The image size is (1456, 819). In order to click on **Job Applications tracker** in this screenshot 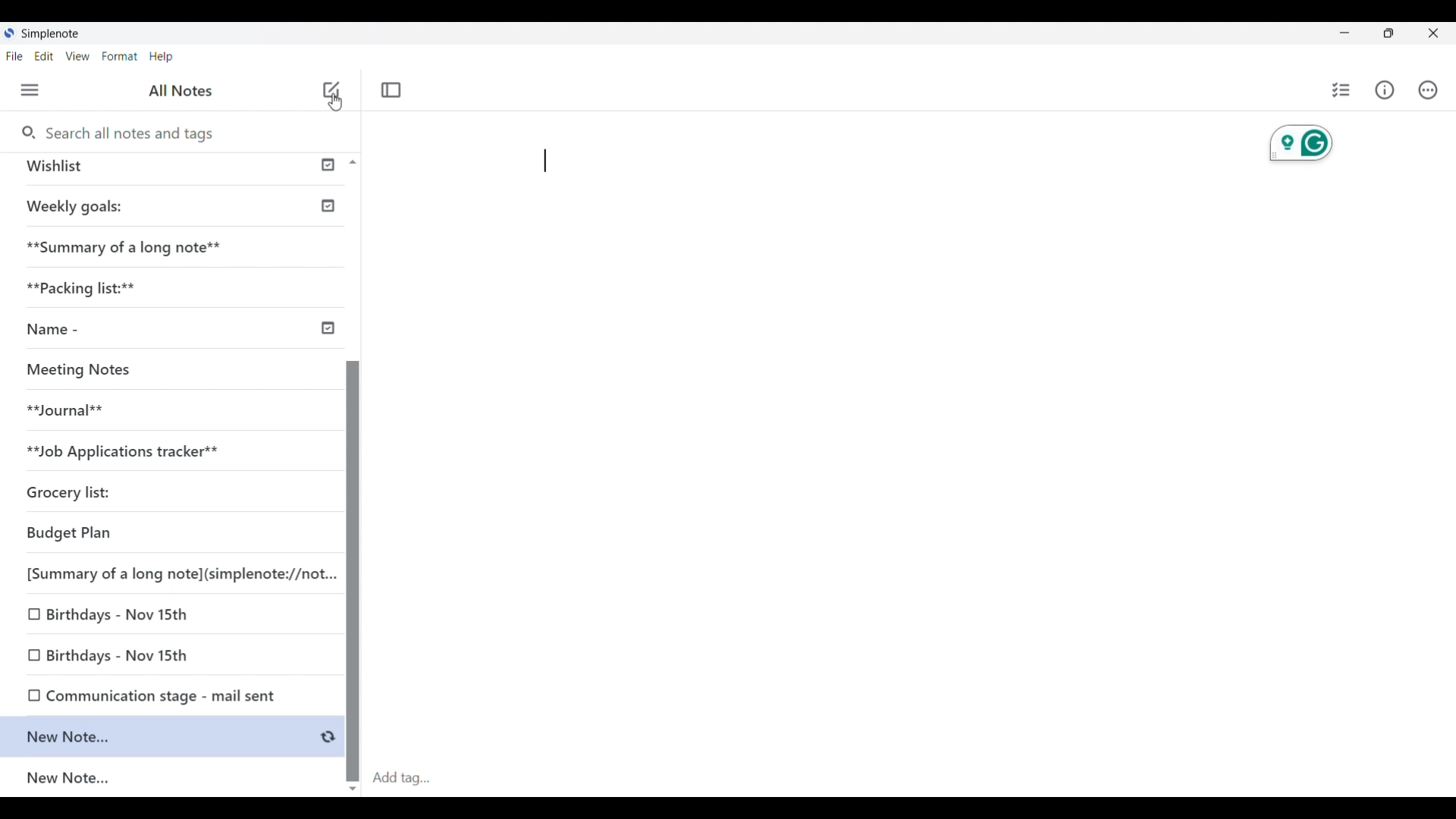, I will do `click(134, 449)`.